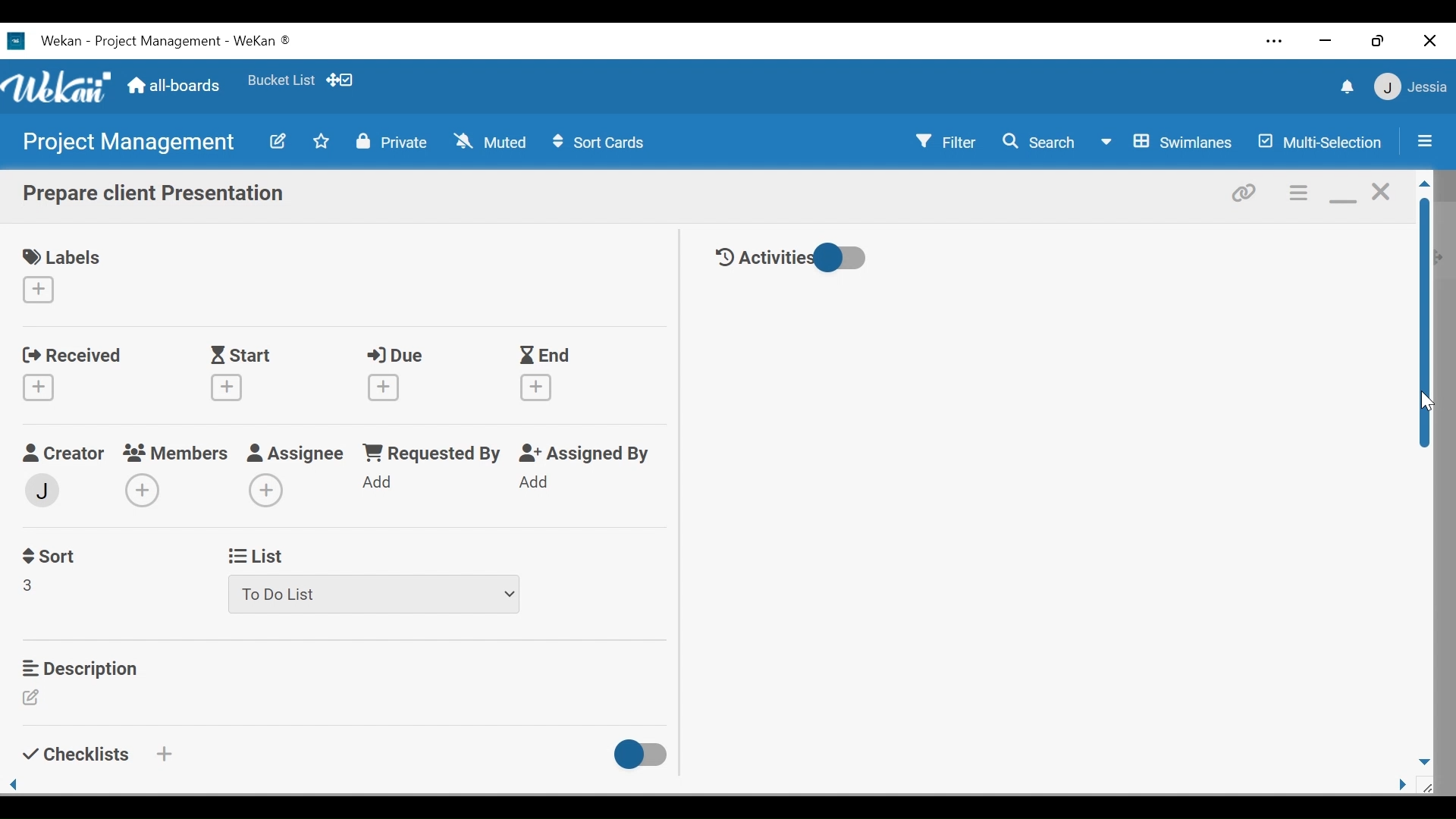  What do you see at coordinates (1170, 143) in the screenshot?
I see `Board View` at bounding box center [1170, 143].